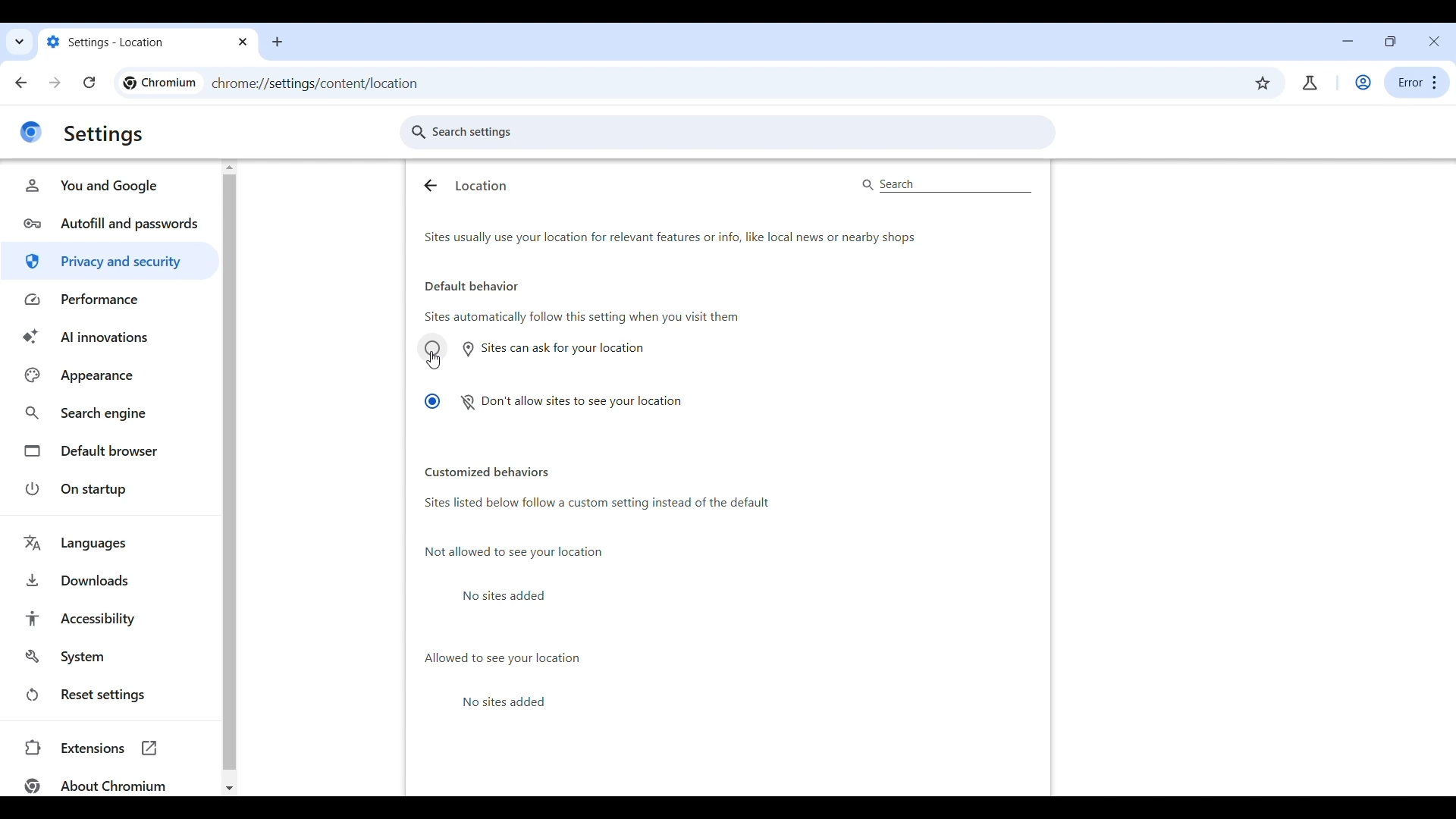 The image size is (1456, 819). I want to click on On startup, so click(108, 488).